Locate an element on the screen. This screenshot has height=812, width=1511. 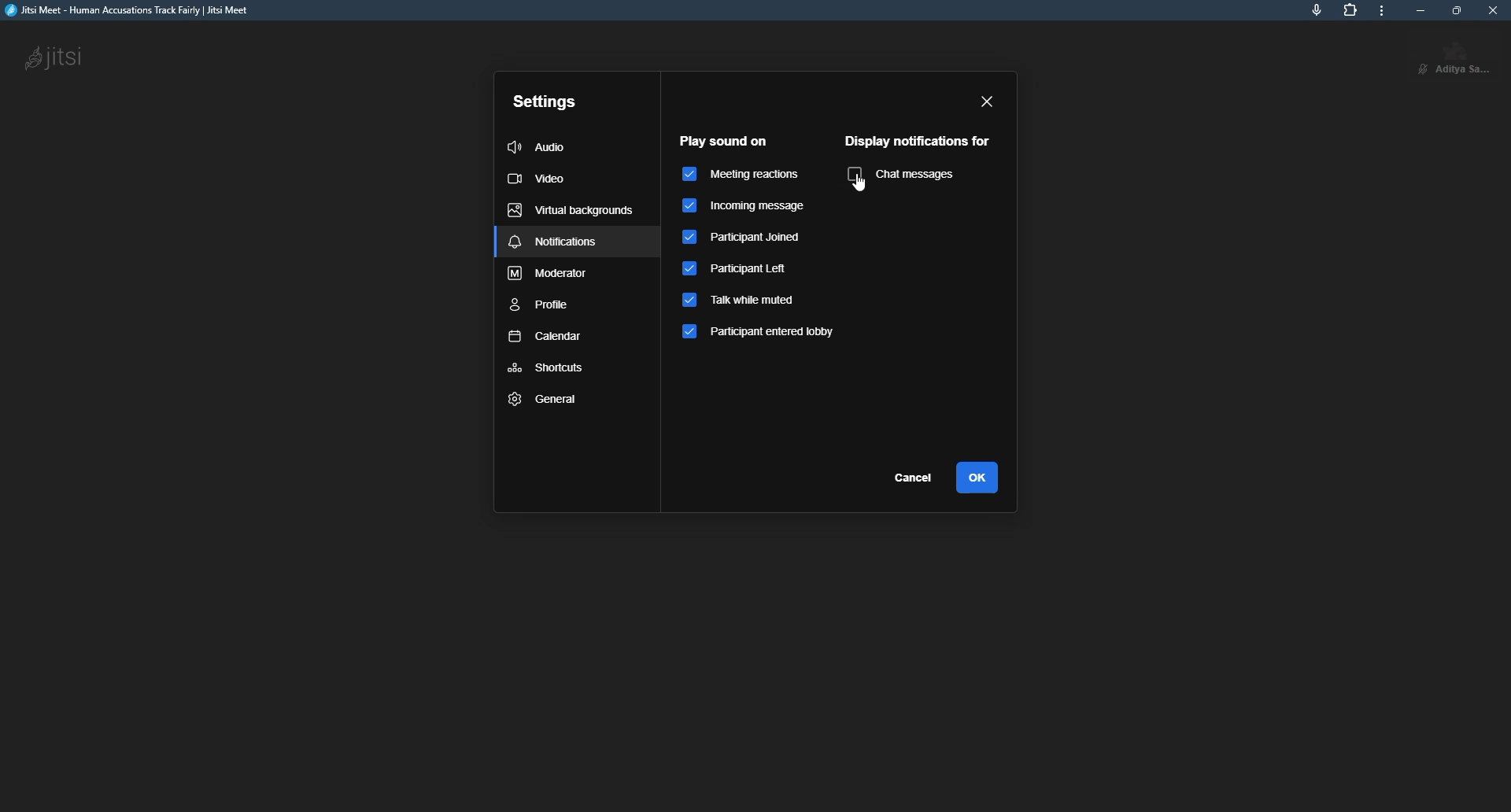
meeting reactions is located at coordinates (740, 173).